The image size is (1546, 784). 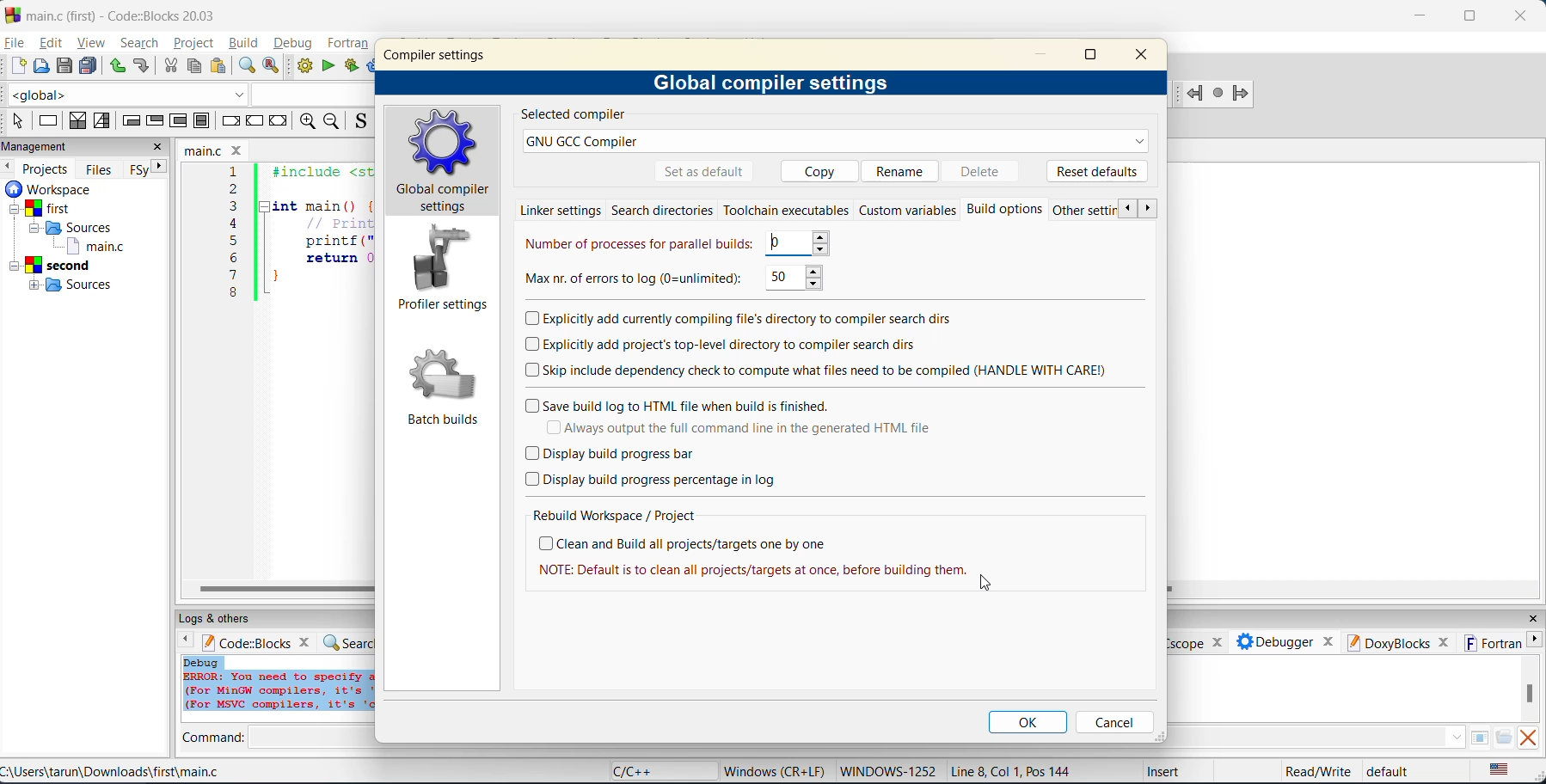 I want to click on maximize, so click(x=1092, y=58).